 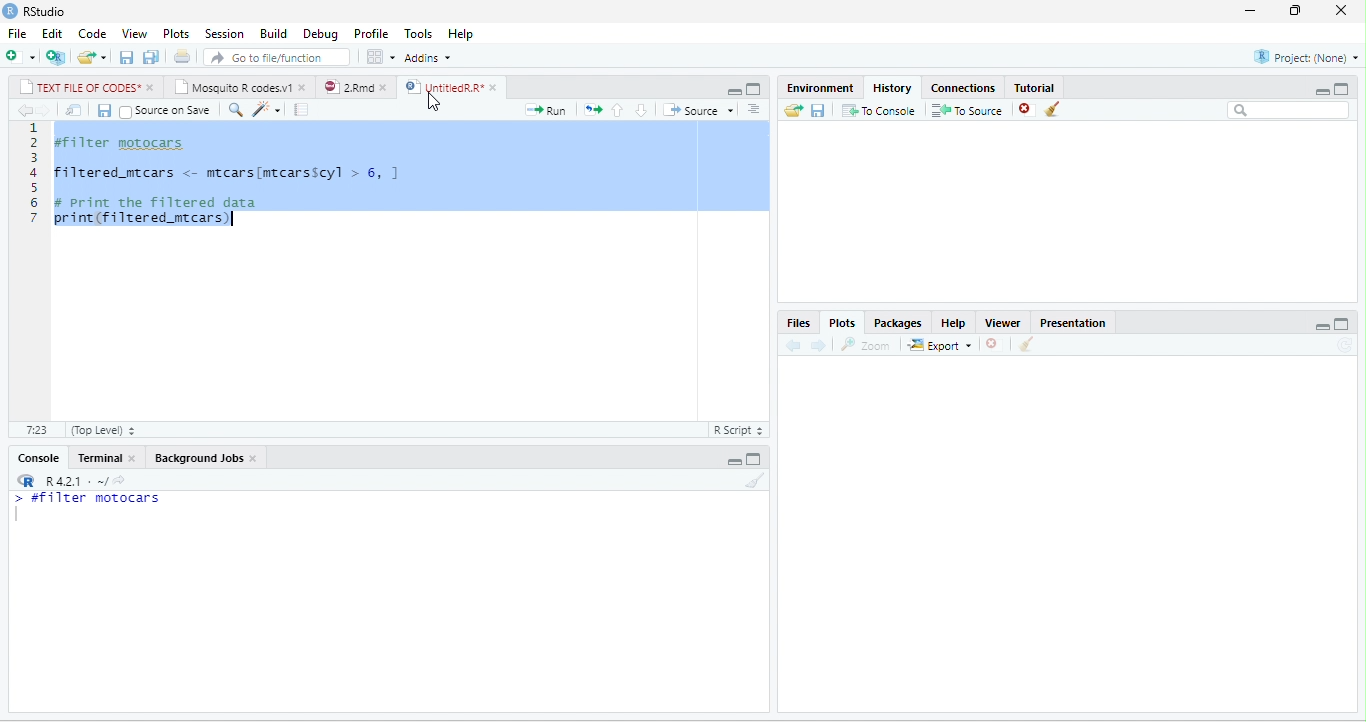 What do you see at coordinates (10, 11) in the screenshot?
I see `logo` at bounding box center [10, 11].